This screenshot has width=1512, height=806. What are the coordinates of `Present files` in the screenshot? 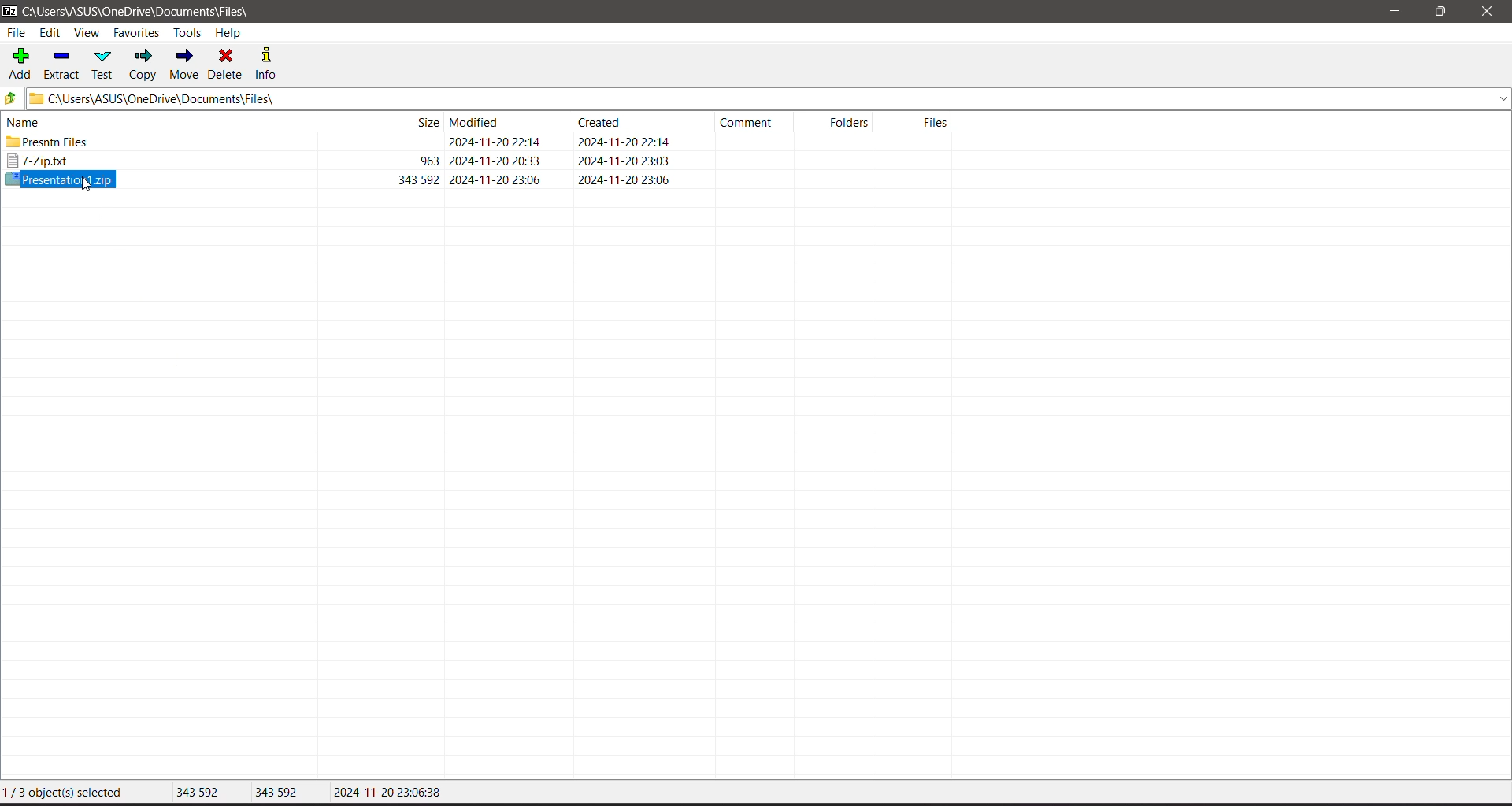 It's located at (340, 142).